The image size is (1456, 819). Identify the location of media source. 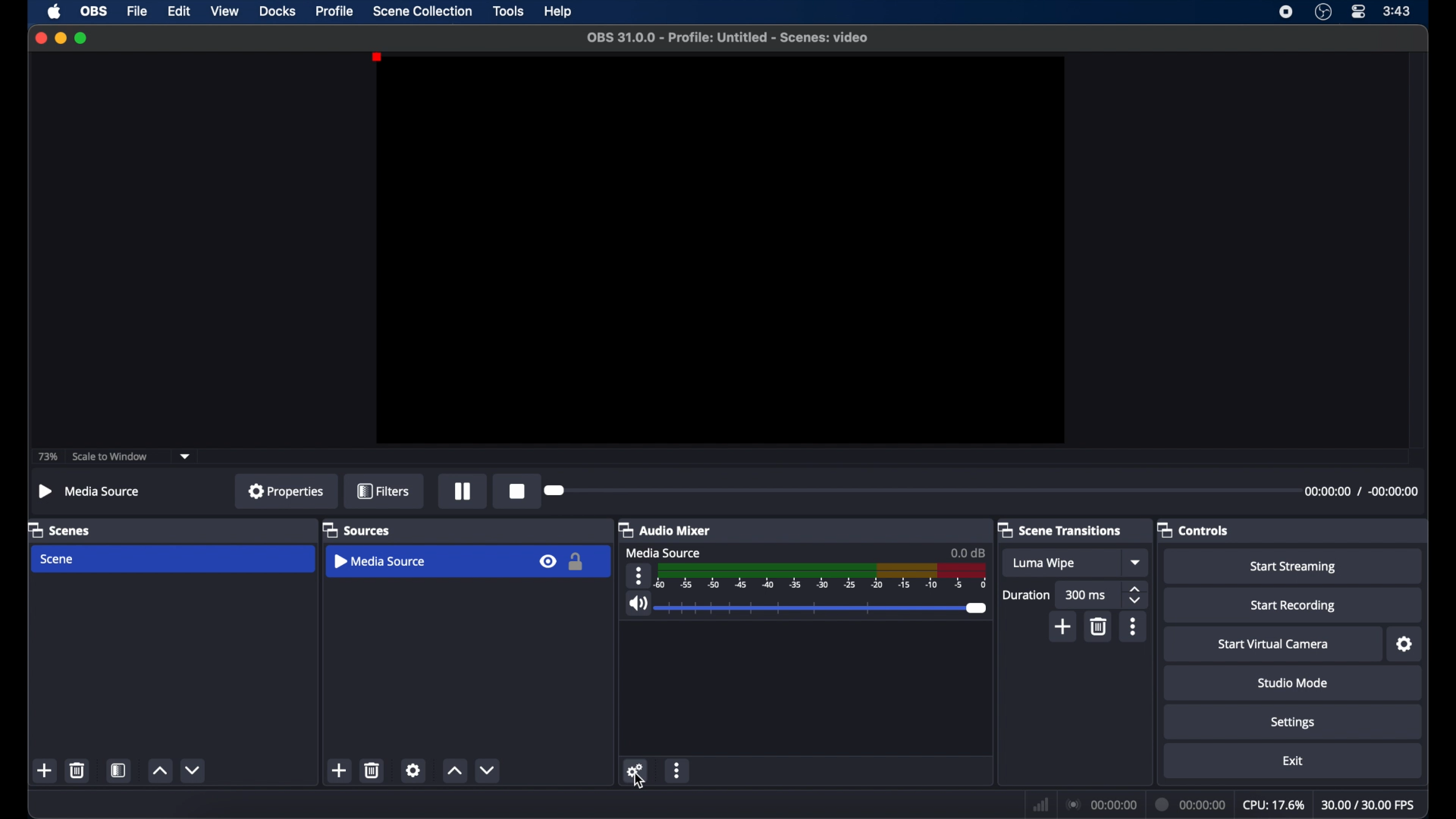
(381, 560).